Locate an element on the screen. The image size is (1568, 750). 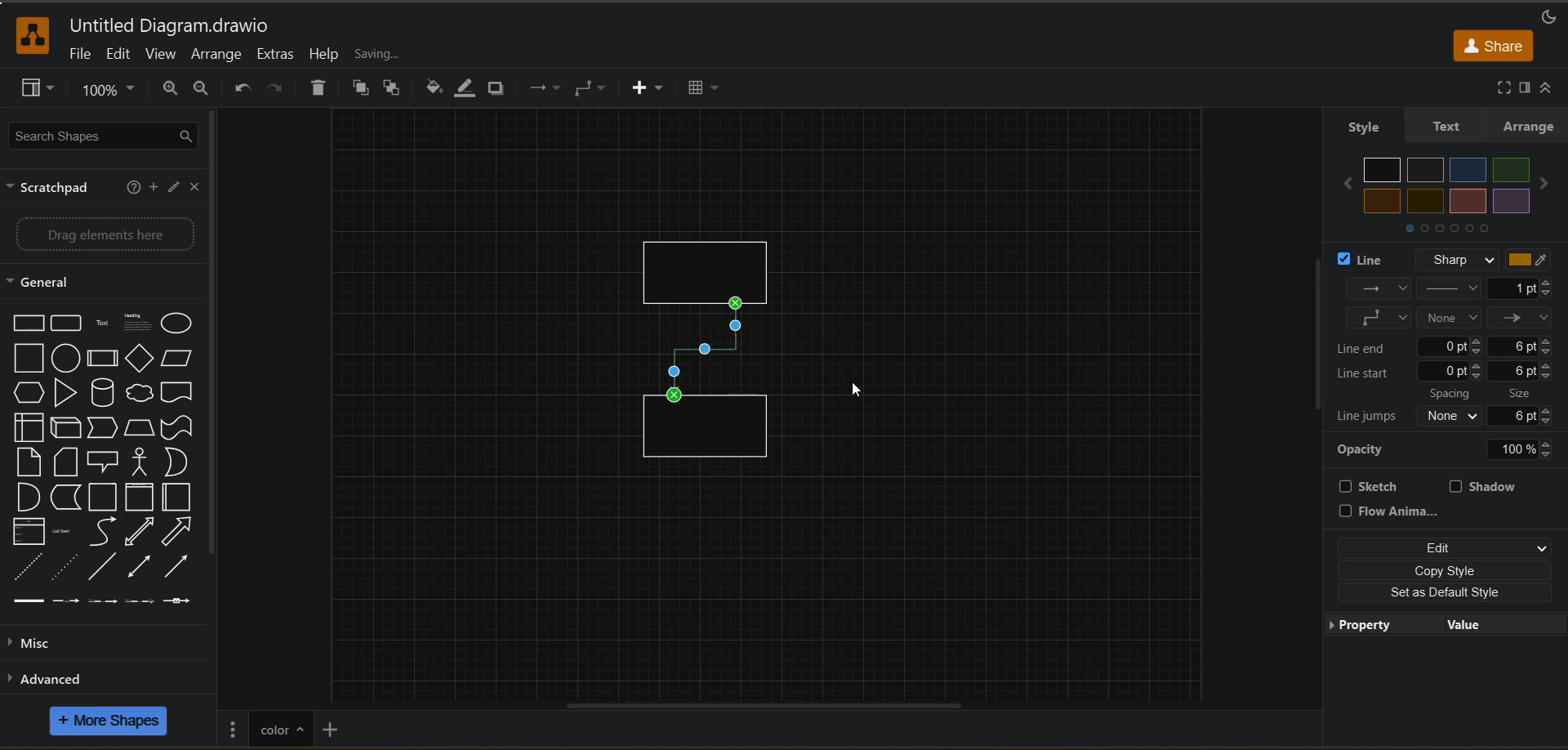
Data Storage is located at coordinates (67, 498).